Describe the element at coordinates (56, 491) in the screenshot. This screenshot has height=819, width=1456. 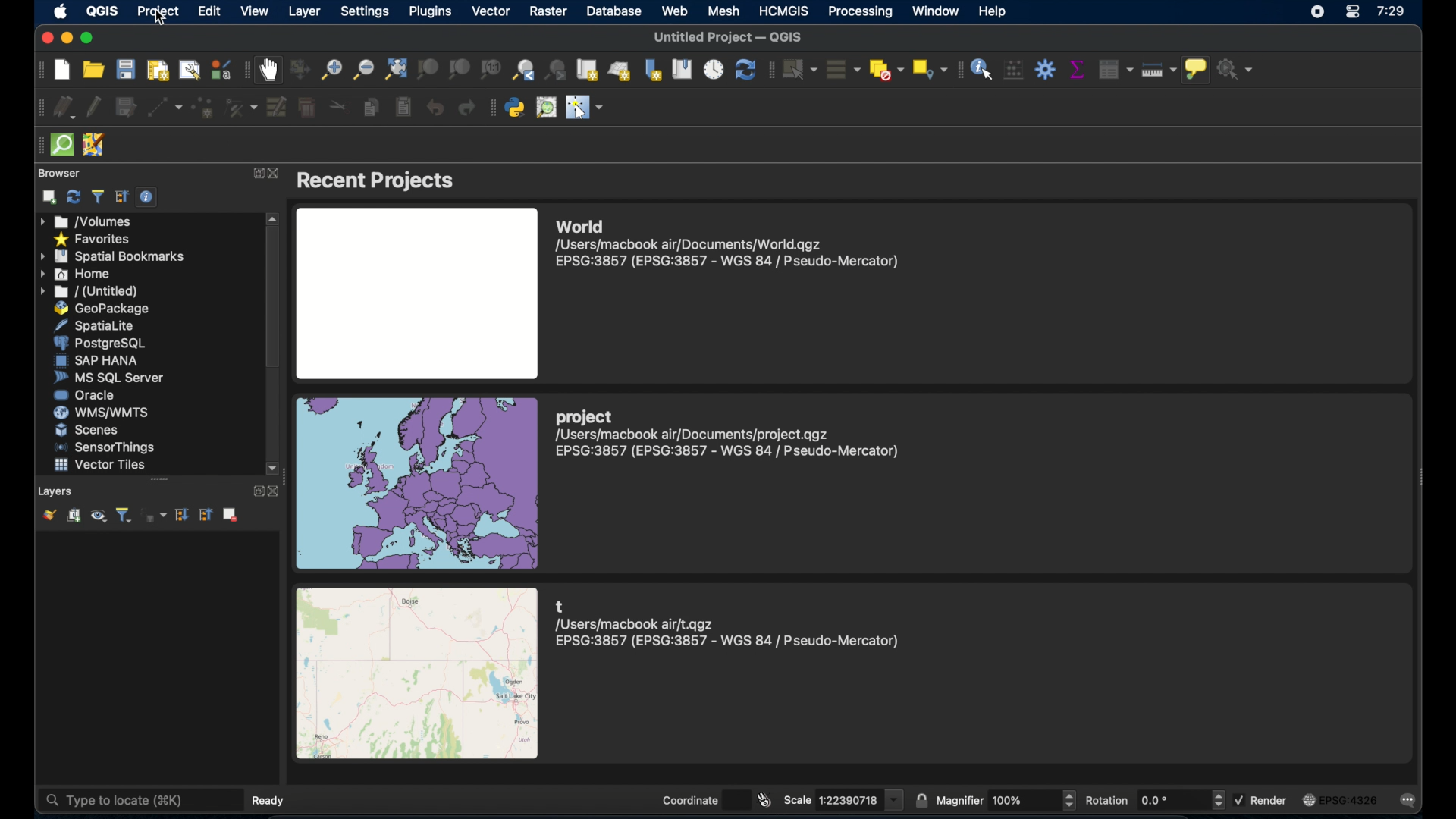
I see `layers` at that location.